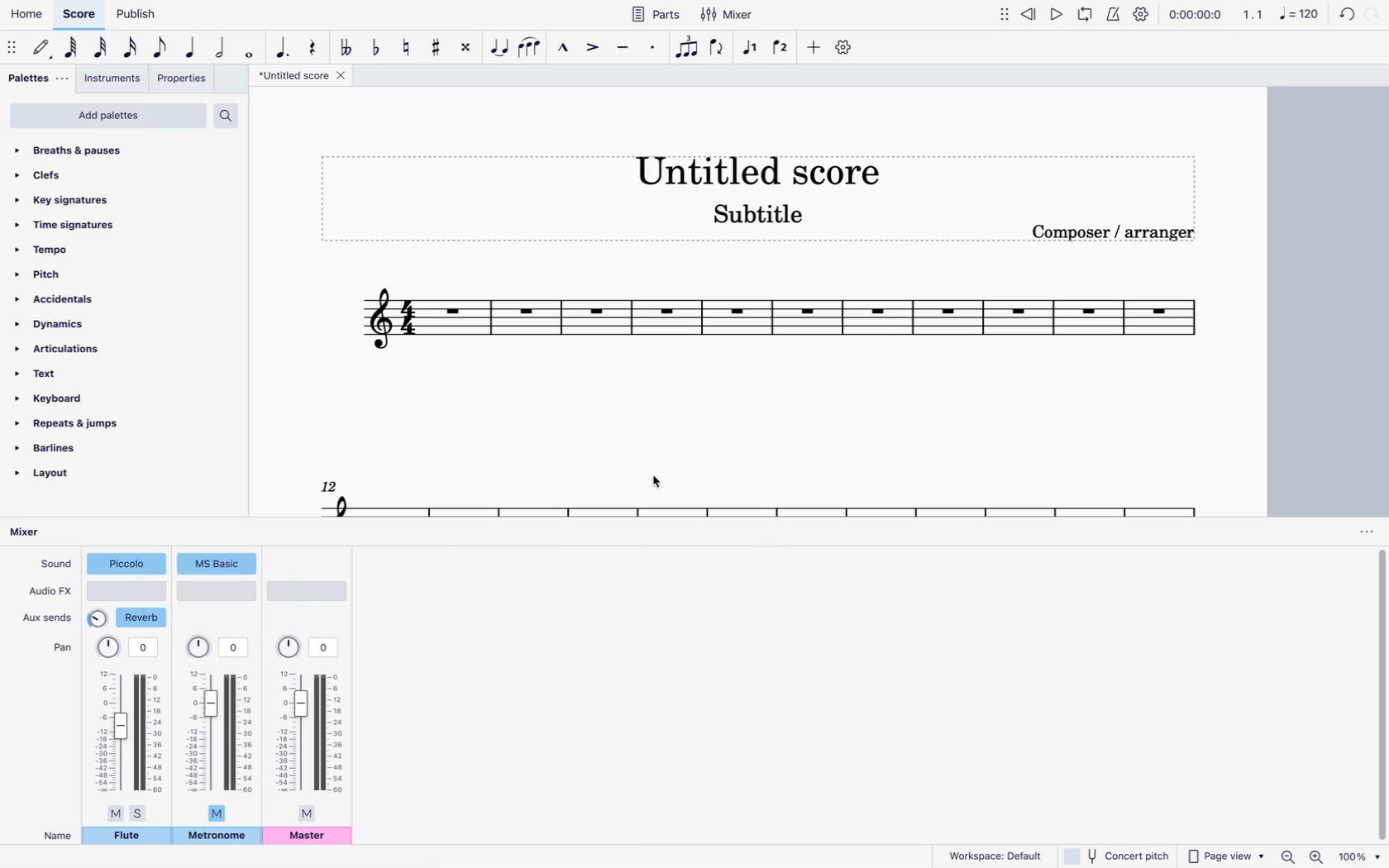  What do you see at coordinates (283, 45) in the screenshot?
I see `augmentation dot` at bounding box center [283, 45].